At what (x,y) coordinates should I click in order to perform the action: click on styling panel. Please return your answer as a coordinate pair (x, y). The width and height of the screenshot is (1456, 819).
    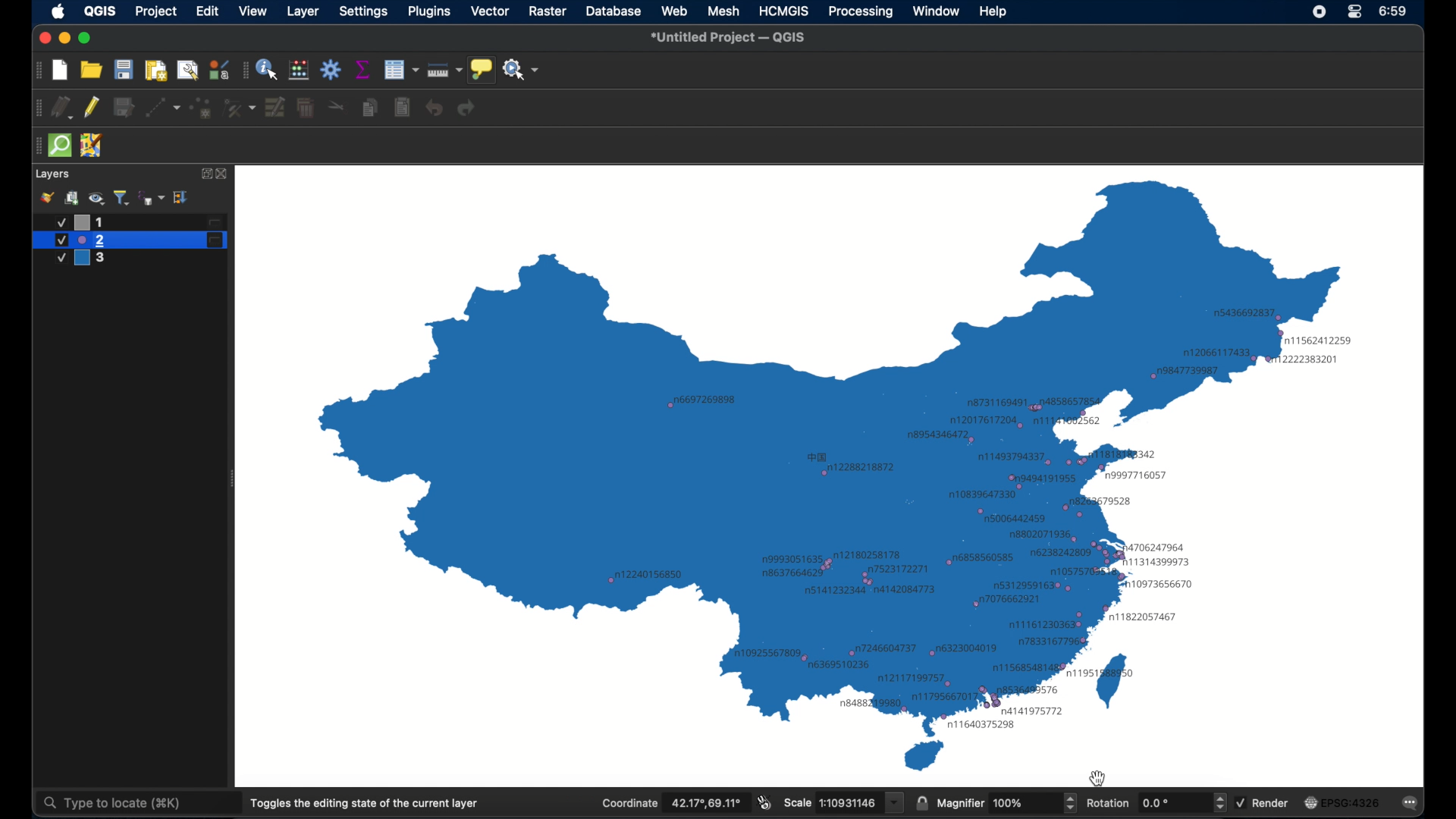
    Looking at the image, I should click on (46, 197).